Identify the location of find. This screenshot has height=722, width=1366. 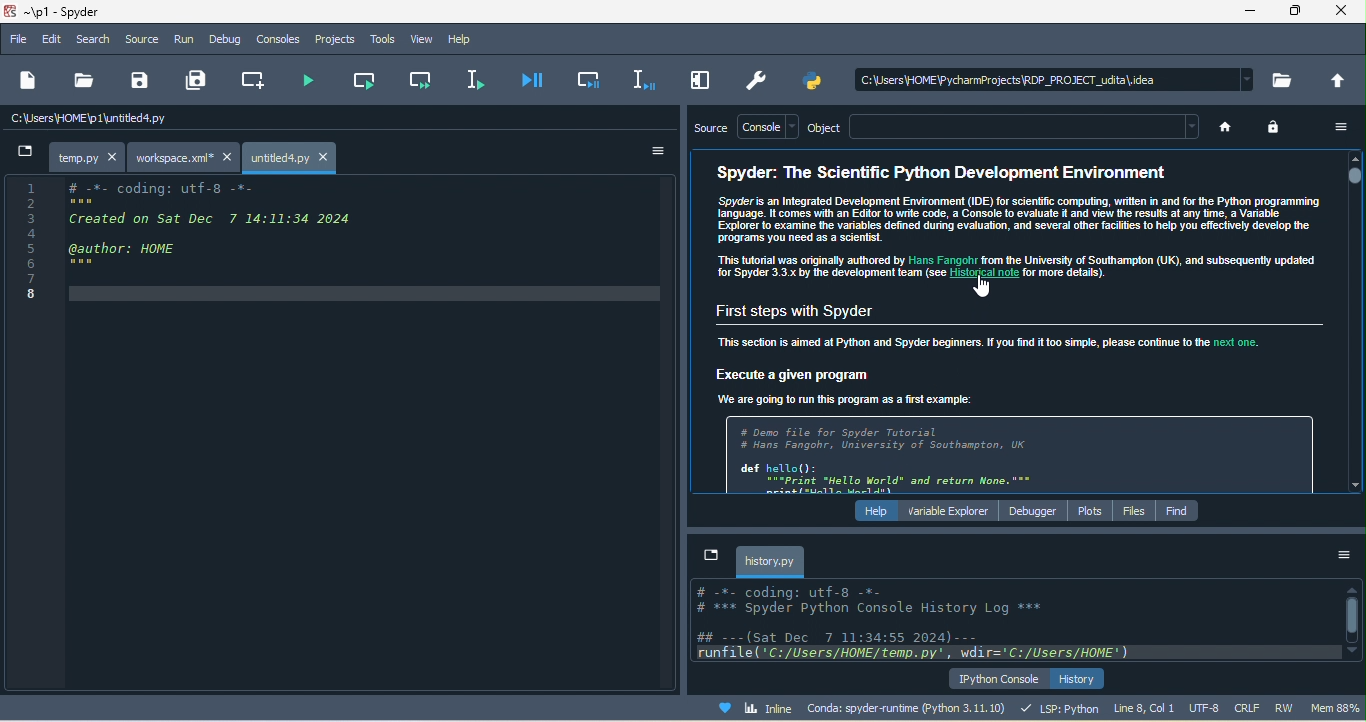
(1179, 513).